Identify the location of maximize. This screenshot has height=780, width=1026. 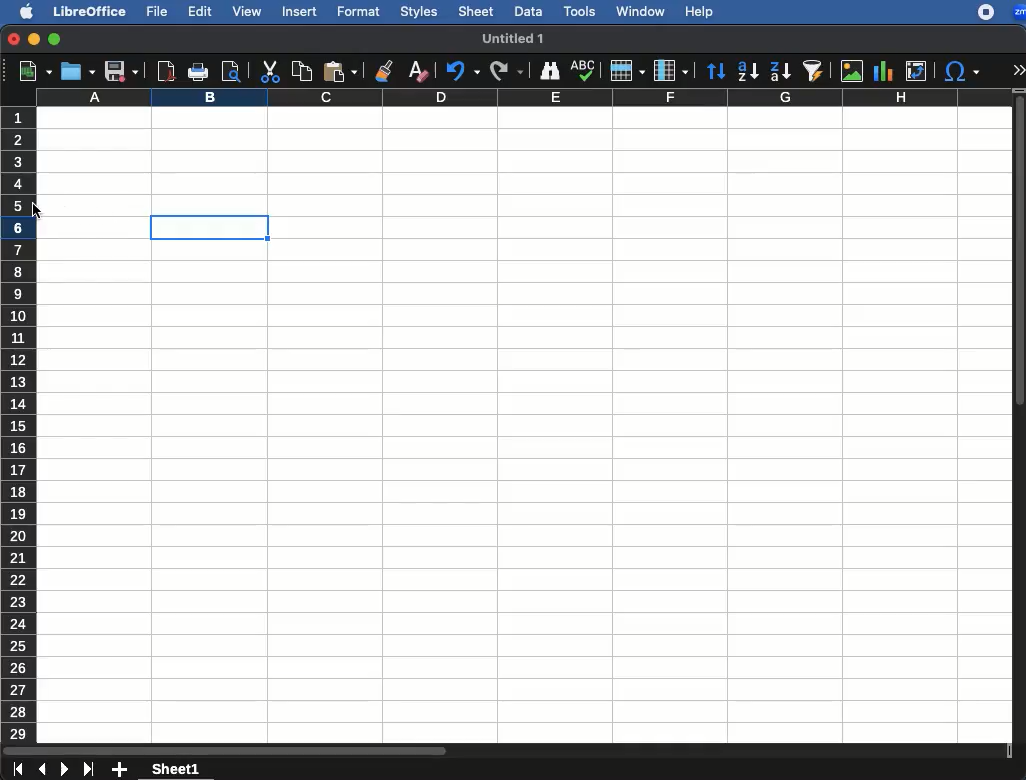
(54, 39).